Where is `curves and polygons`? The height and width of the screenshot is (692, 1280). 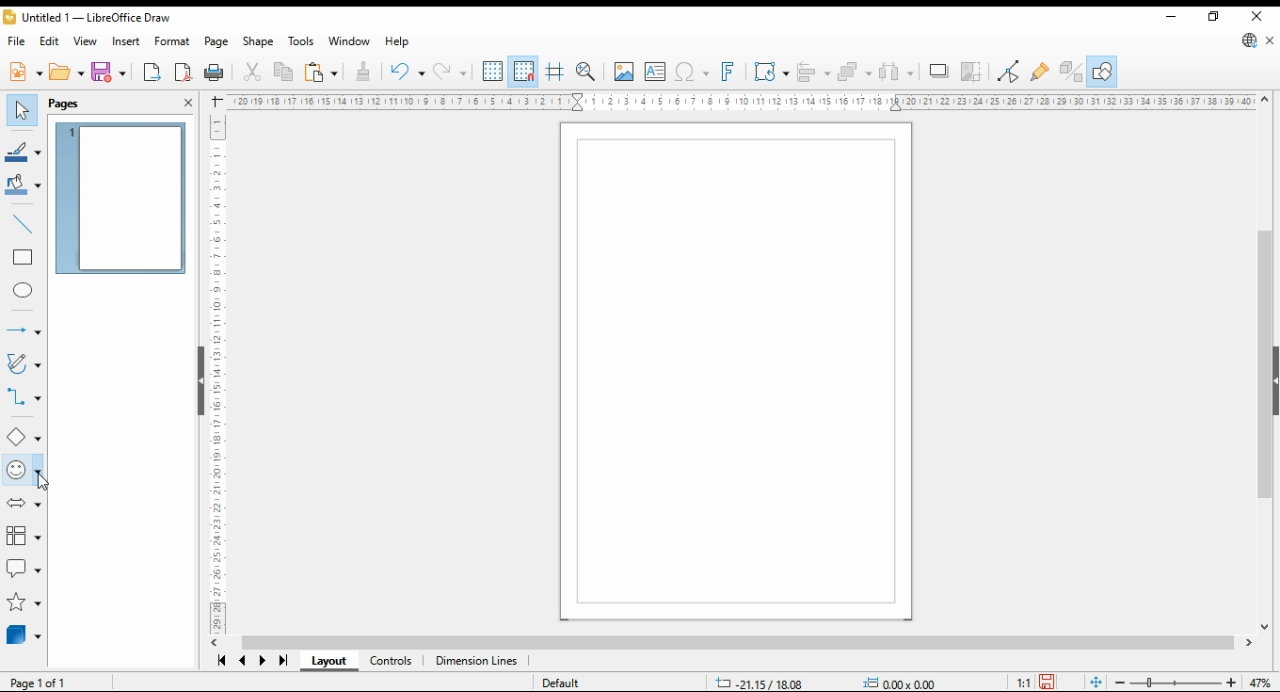
curves and polygons is located at coordinates (24, 364).